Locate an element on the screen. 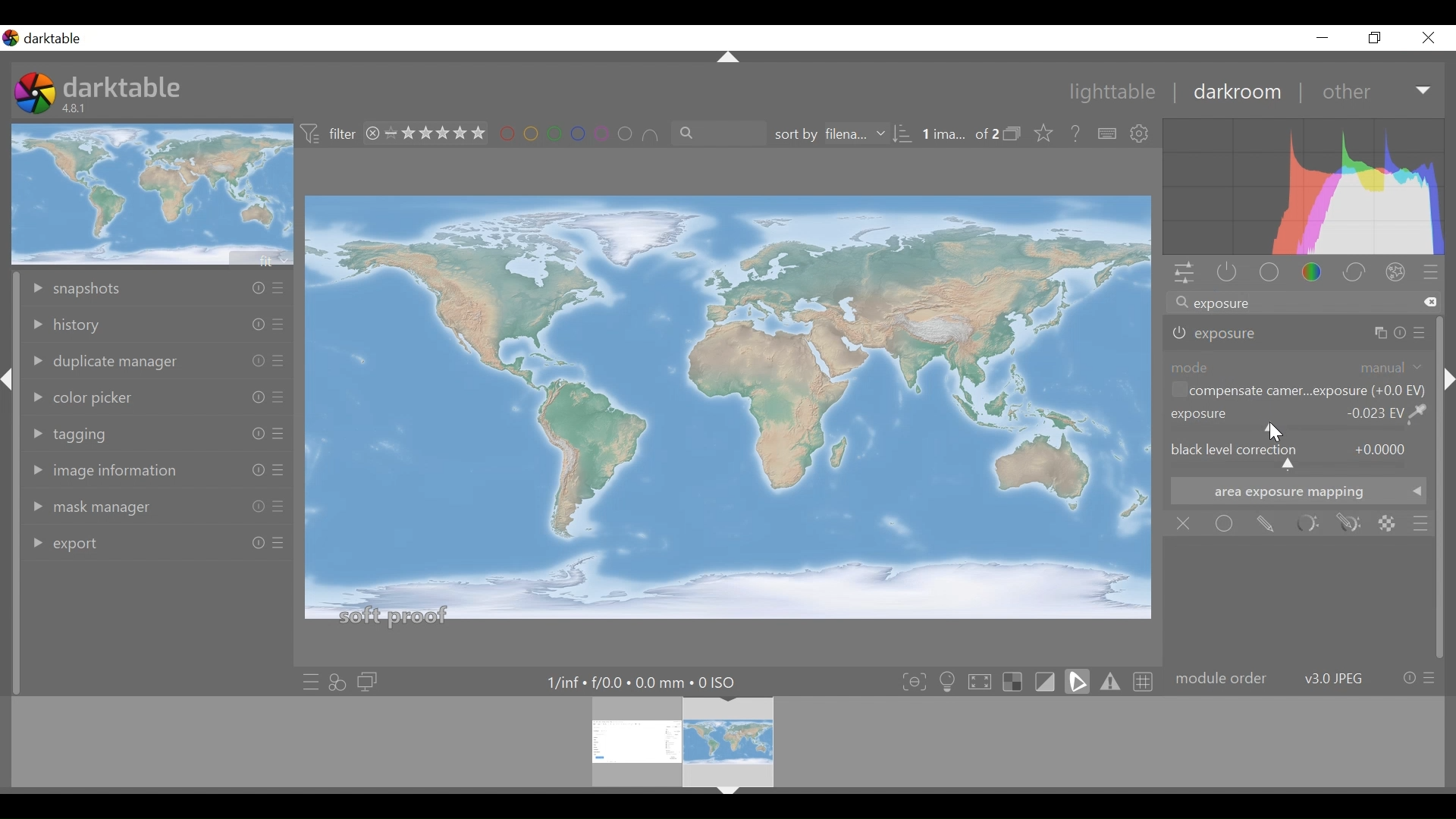 The height and width of the screenshot is (819, 1456). color is located at coordinates (1316, 274).